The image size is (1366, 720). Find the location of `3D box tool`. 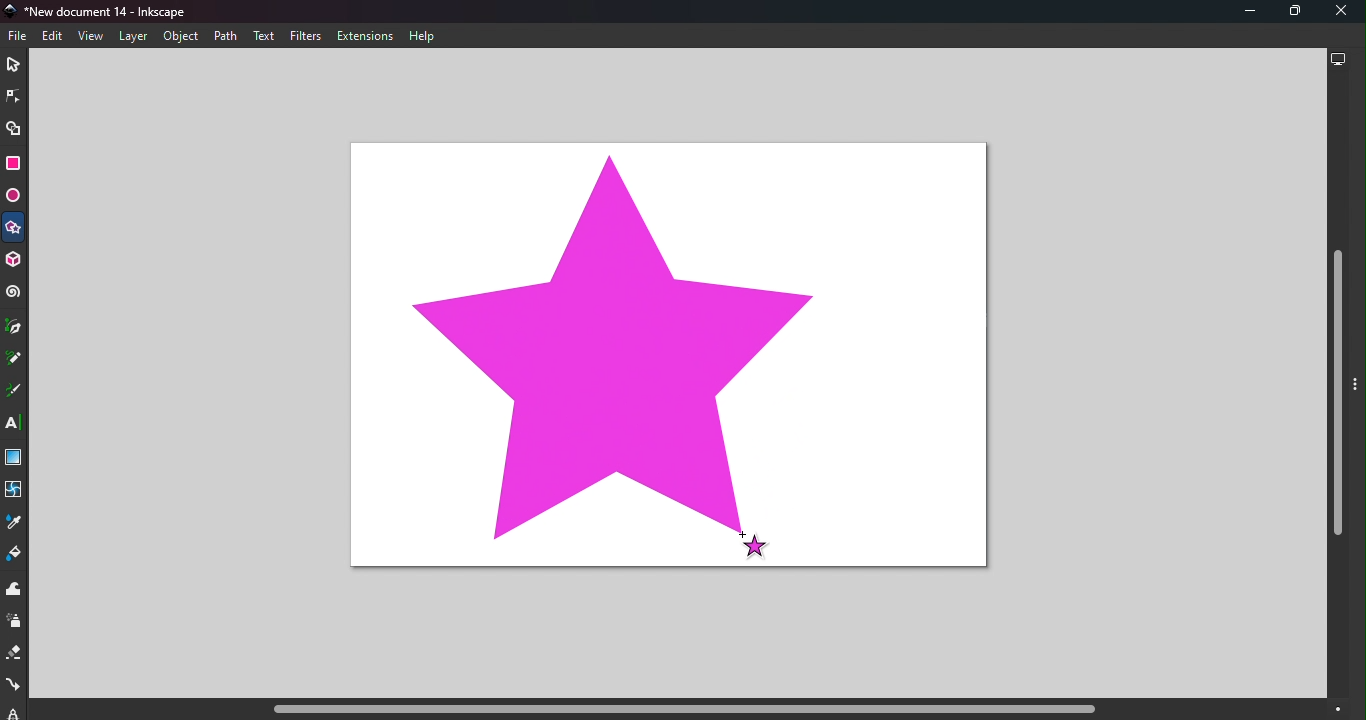

3D box tool is located at coordinates (16, 260).